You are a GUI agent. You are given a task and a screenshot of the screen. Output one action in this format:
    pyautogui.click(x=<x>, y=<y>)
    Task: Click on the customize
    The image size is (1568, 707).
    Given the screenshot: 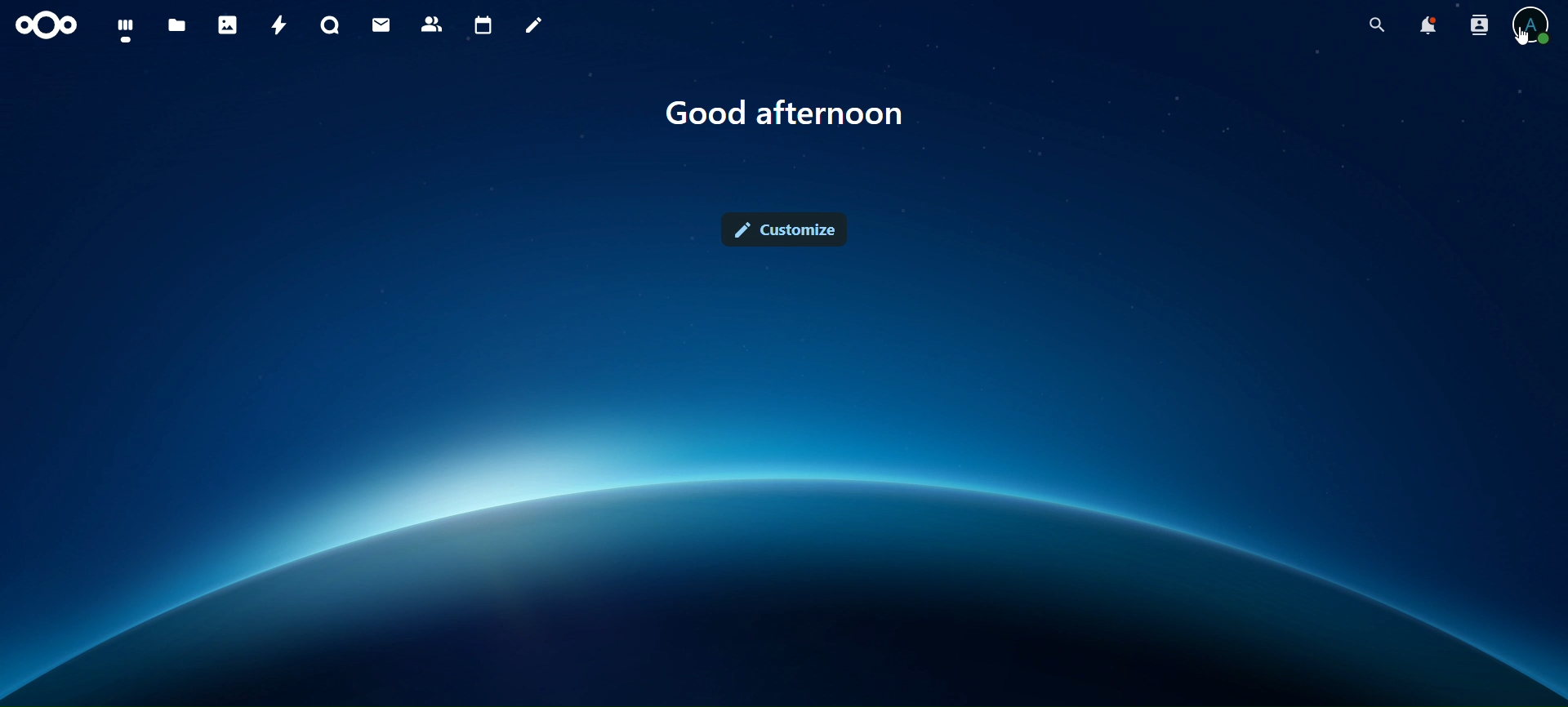 What is the action you would take?
    pyautogui.click(x=790, y=232)
    